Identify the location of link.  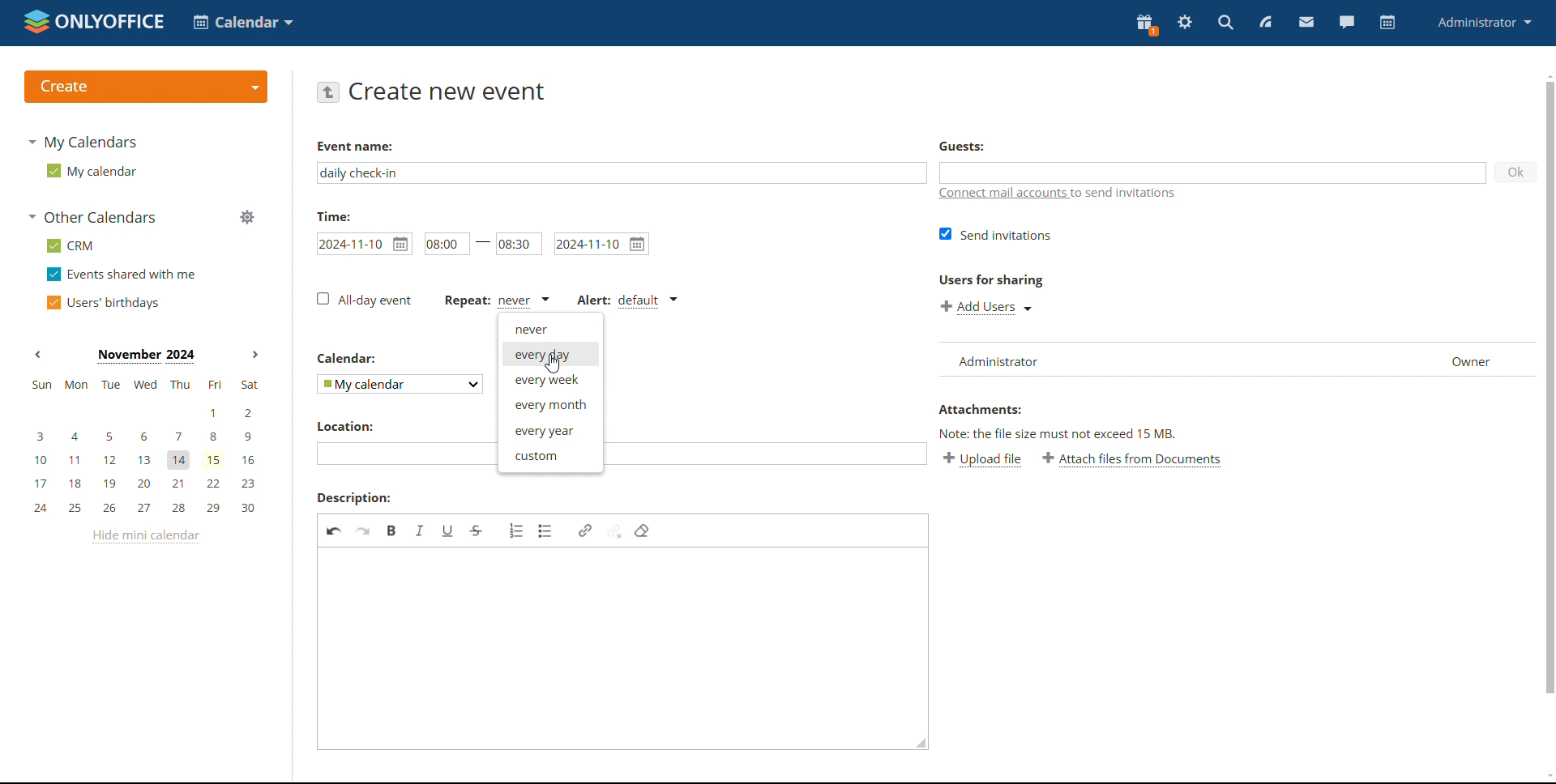
(584, 530).